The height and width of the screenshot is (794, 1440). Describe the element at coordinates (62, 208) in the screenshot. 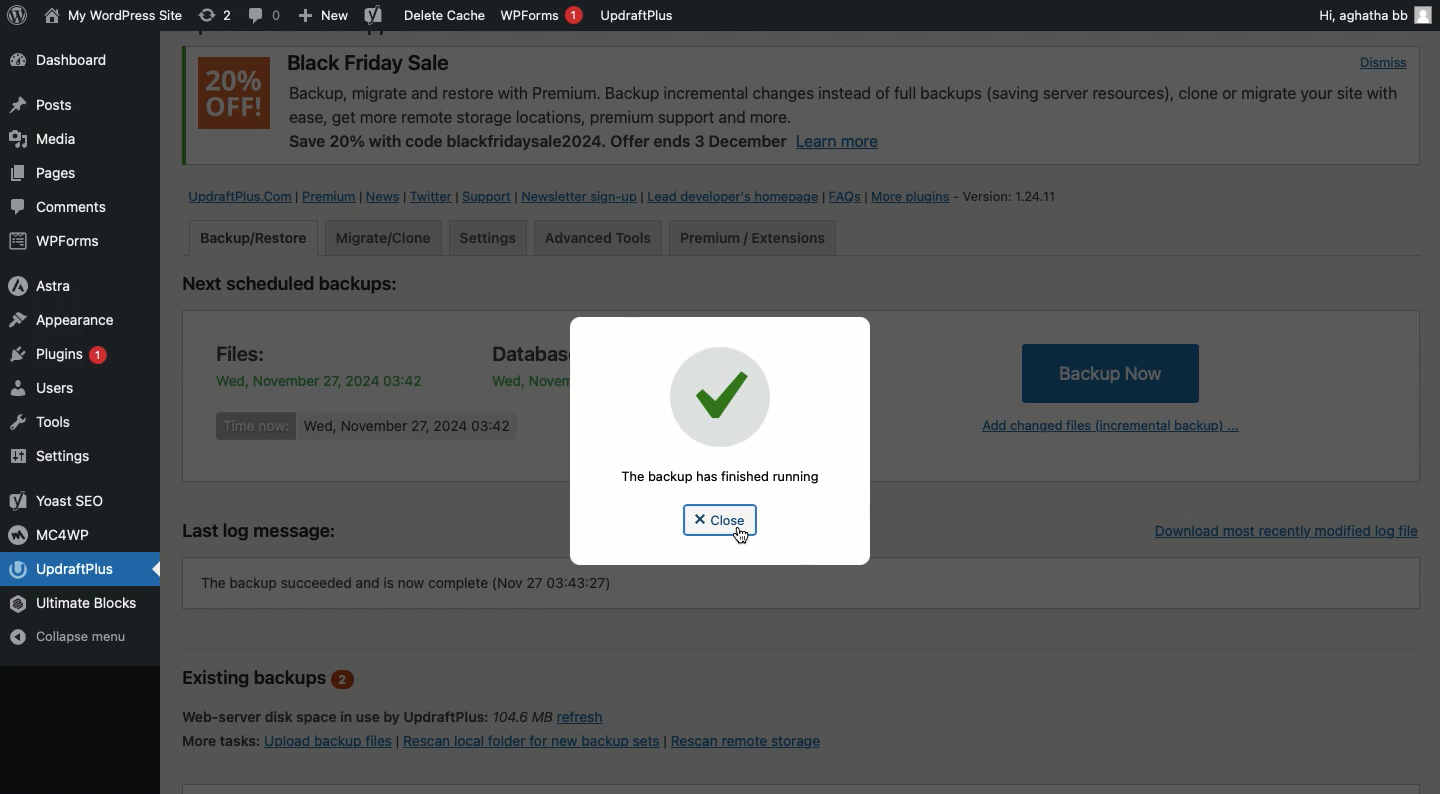

I see `Comments` at that location.